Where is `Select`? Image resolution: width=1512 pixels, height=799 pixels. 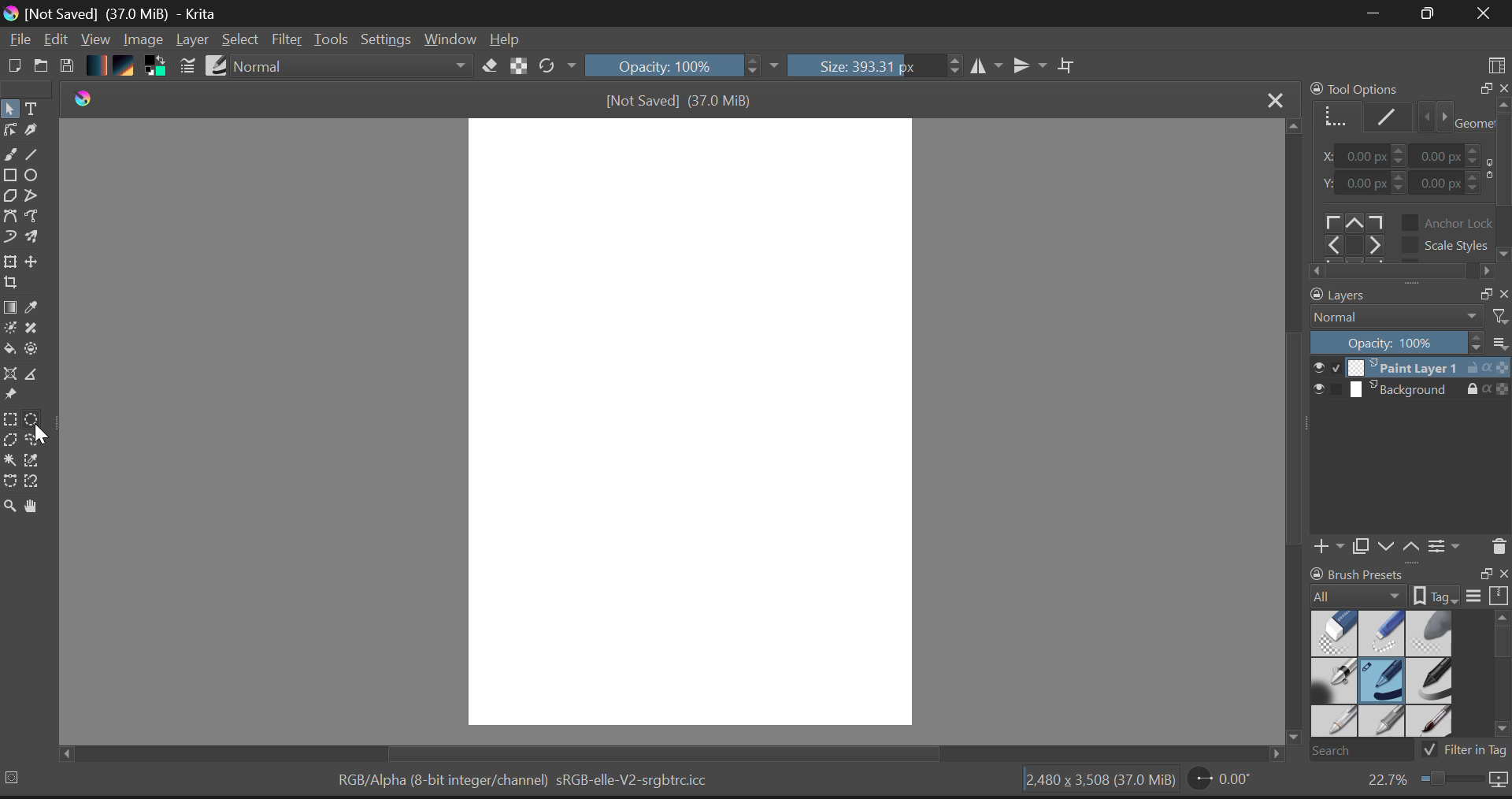
Select is located at coordinates (9, 110).